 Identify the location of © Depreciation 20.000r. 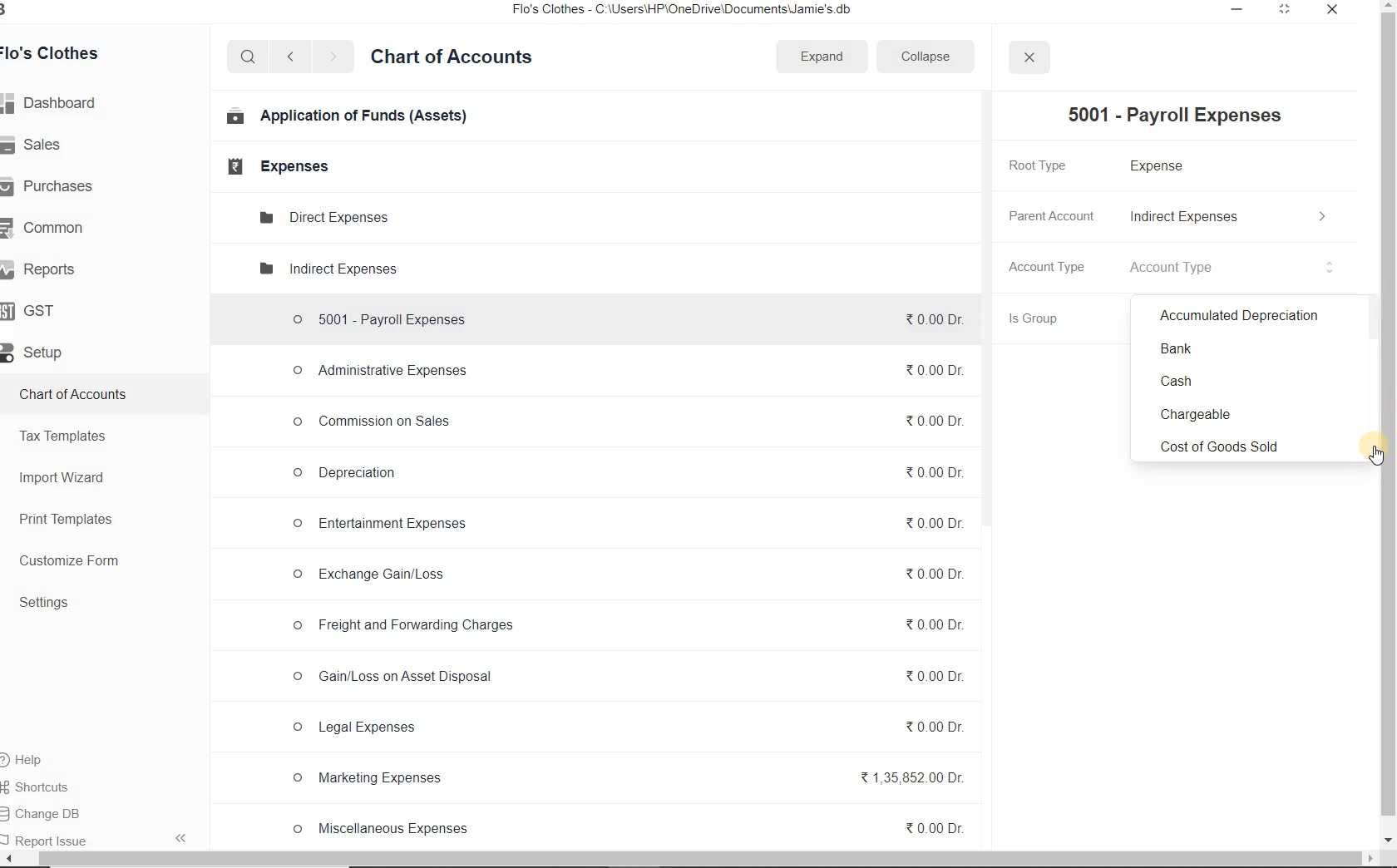
(629, 477).